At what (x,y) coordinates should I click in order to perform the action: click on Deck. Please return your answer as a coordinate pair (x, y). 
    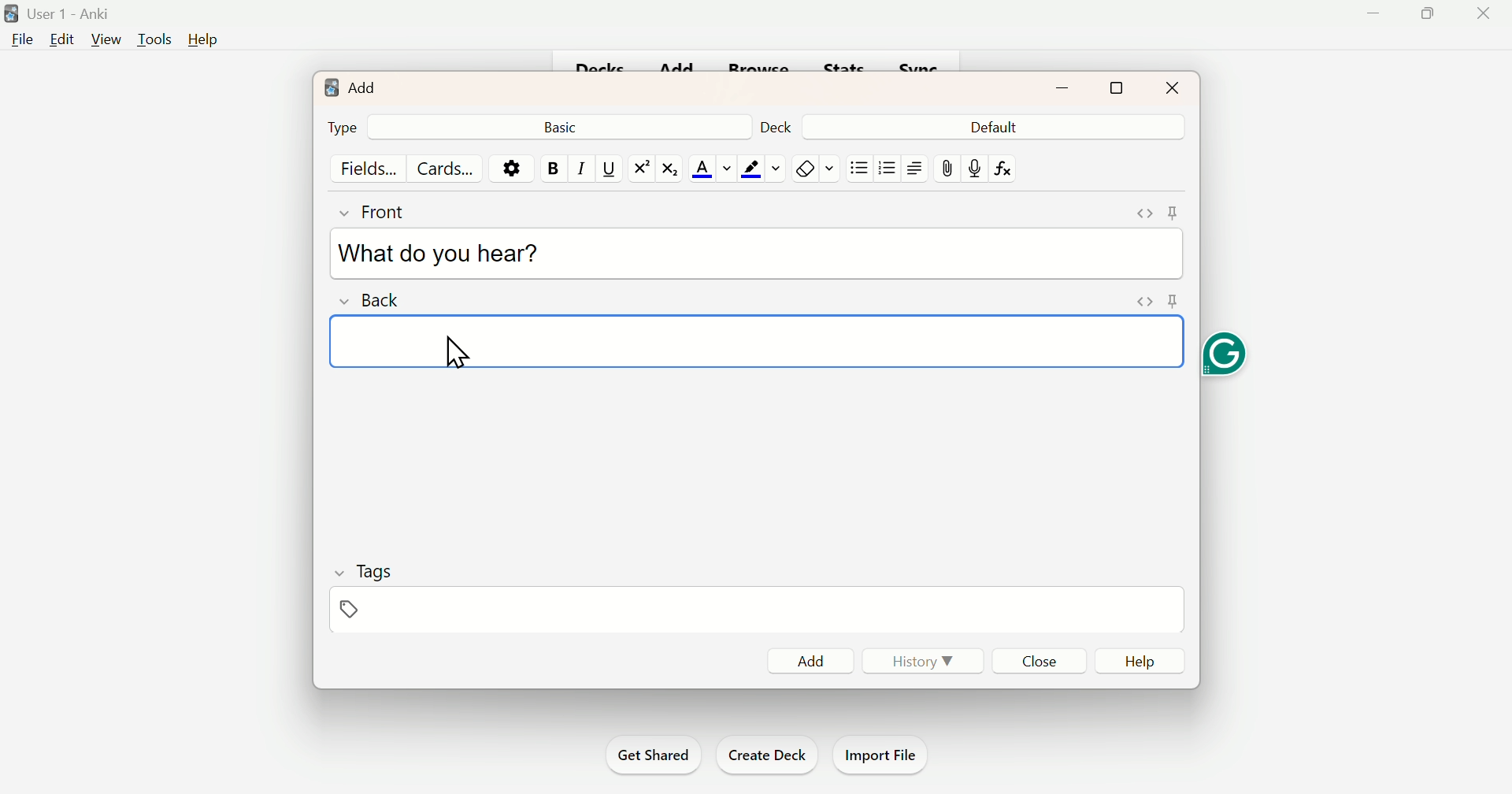
    Looking at the image, I should click on (774, 128).